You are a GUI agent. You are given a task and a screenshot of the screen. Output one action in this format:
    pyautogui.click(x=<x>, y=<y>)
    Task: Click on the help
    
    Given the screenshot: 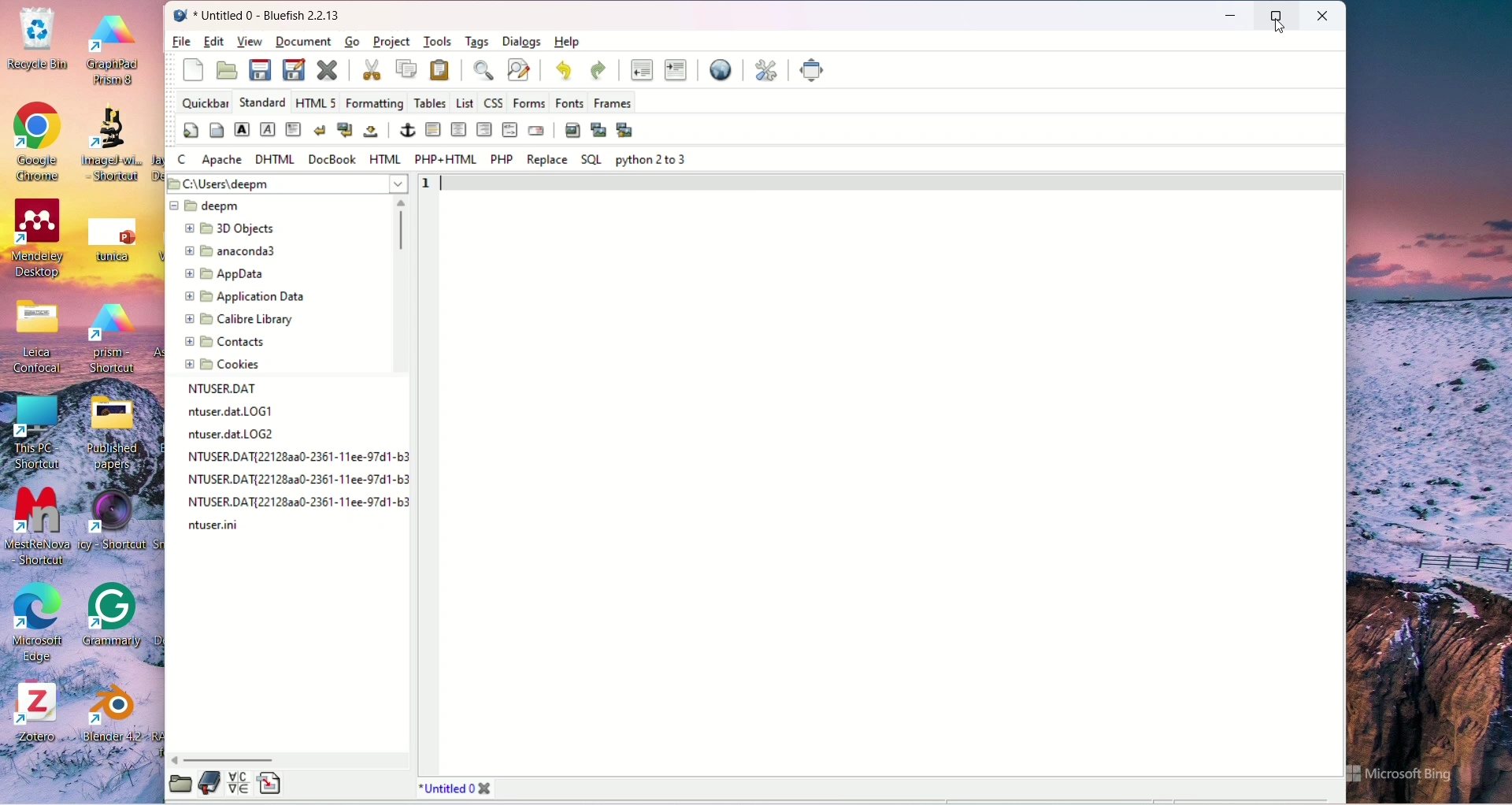 What is the action you would take?
    pyautogui.click(x=566, y=42)
    